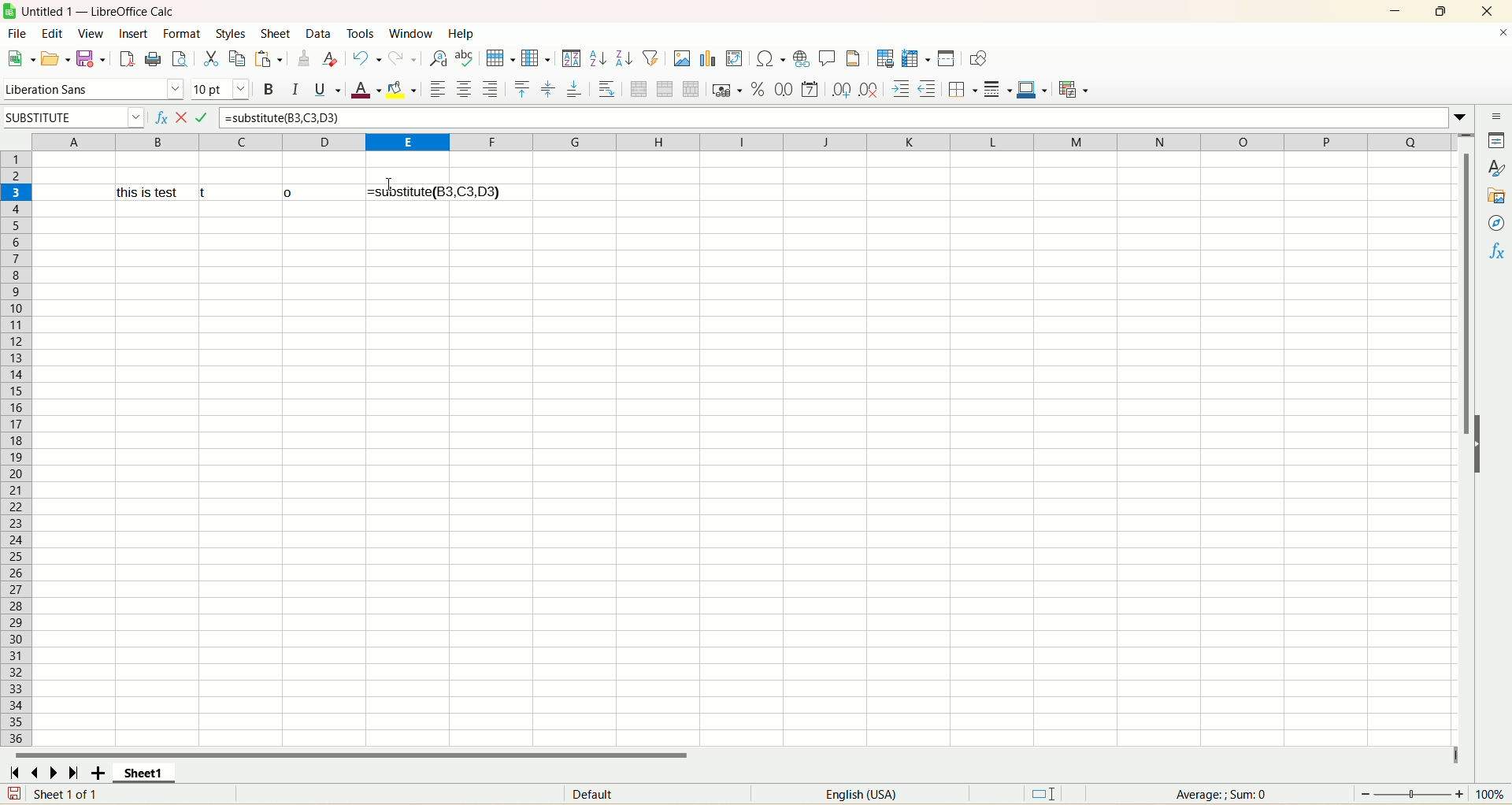 The width and height of the screenshot is (1512, 805). What do you see at coordinates (872, 90) in the screenshot?
I see `remove decimal place` at bounding box center [872, 90].